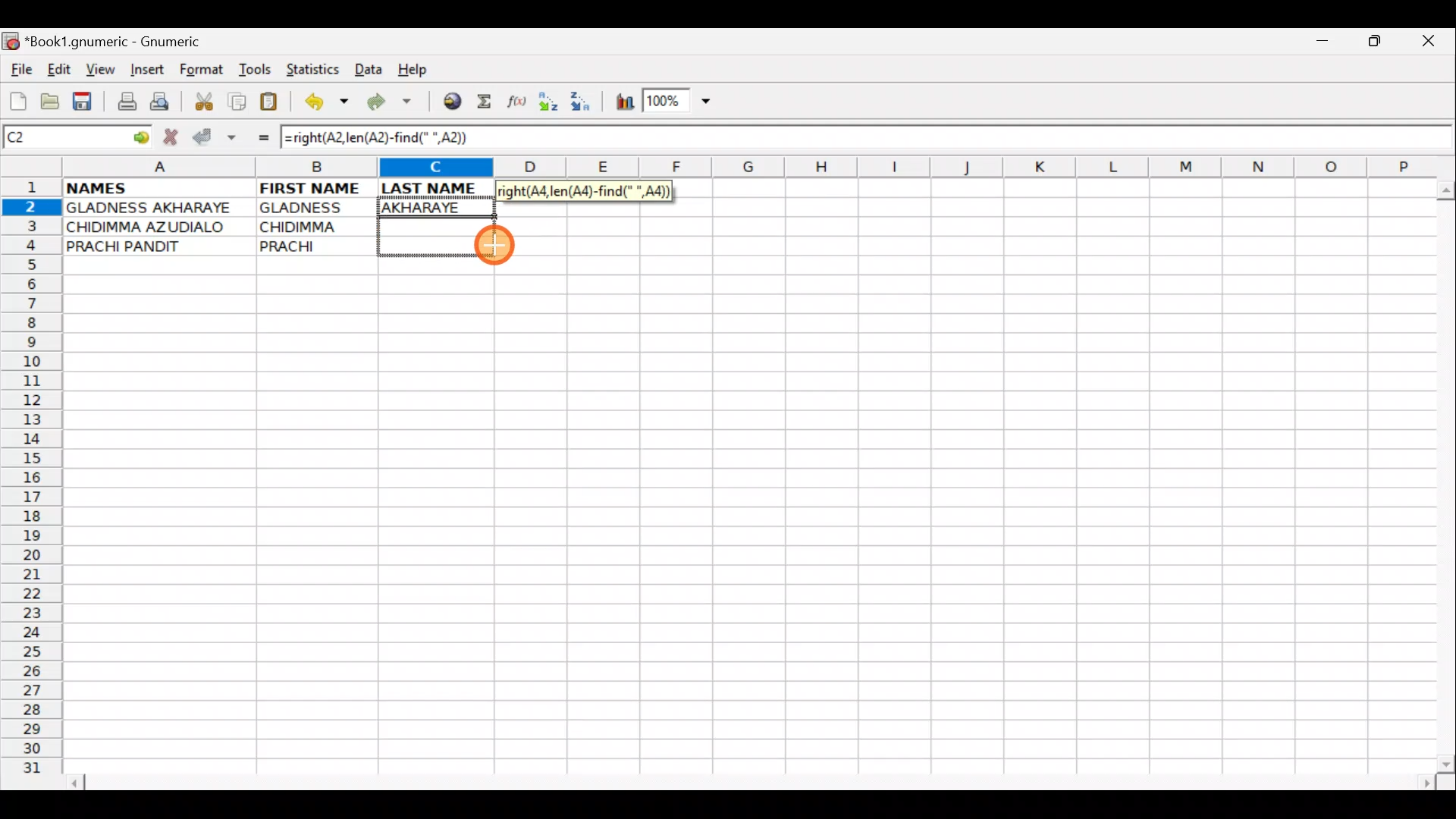 This screenshot has height=819, width=1456. Describe the element at coordinates (215, 135) in the screenshot. I see `Accept change` at that location.